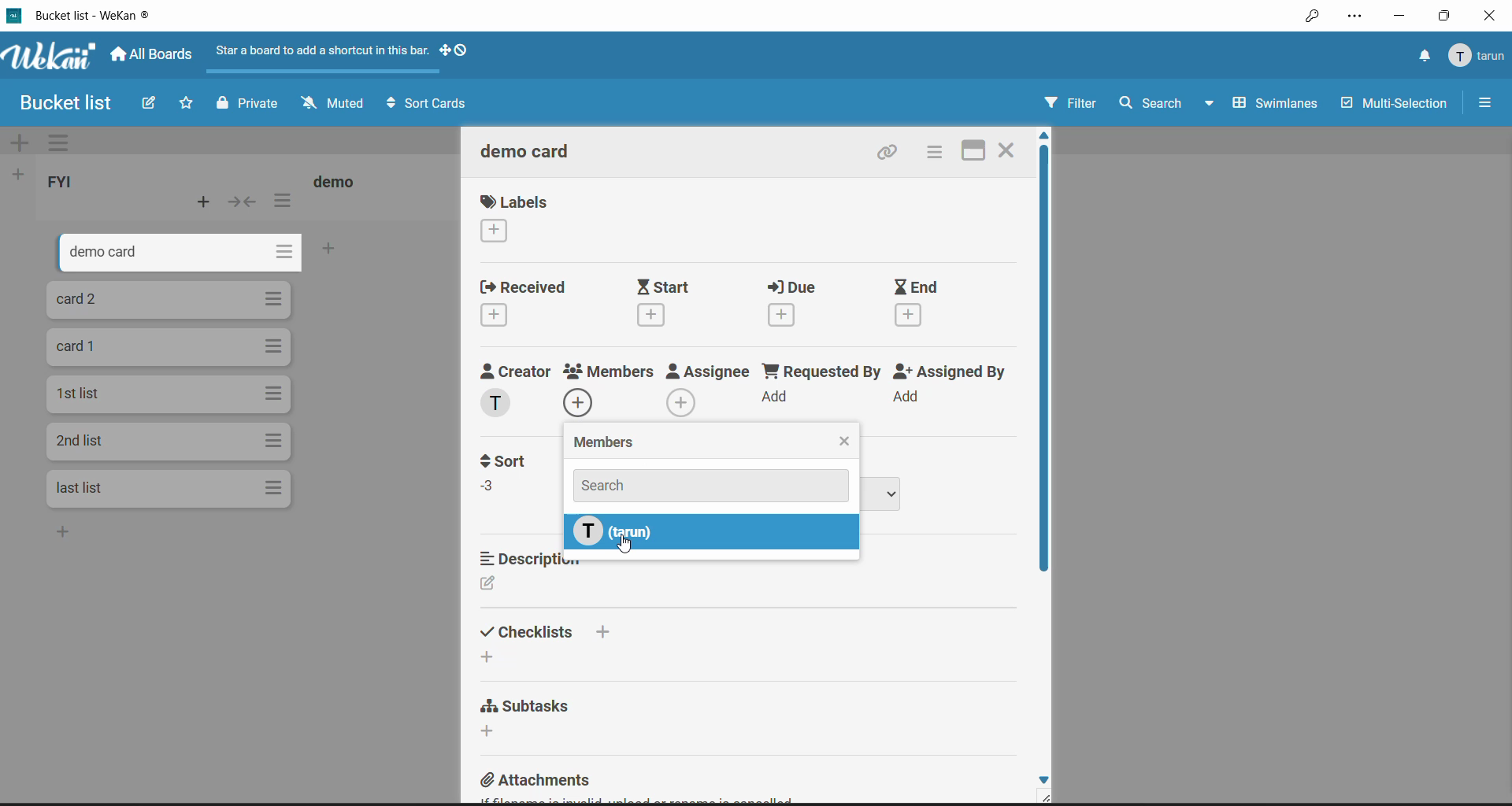  I want to click on add, so click(776, 395).